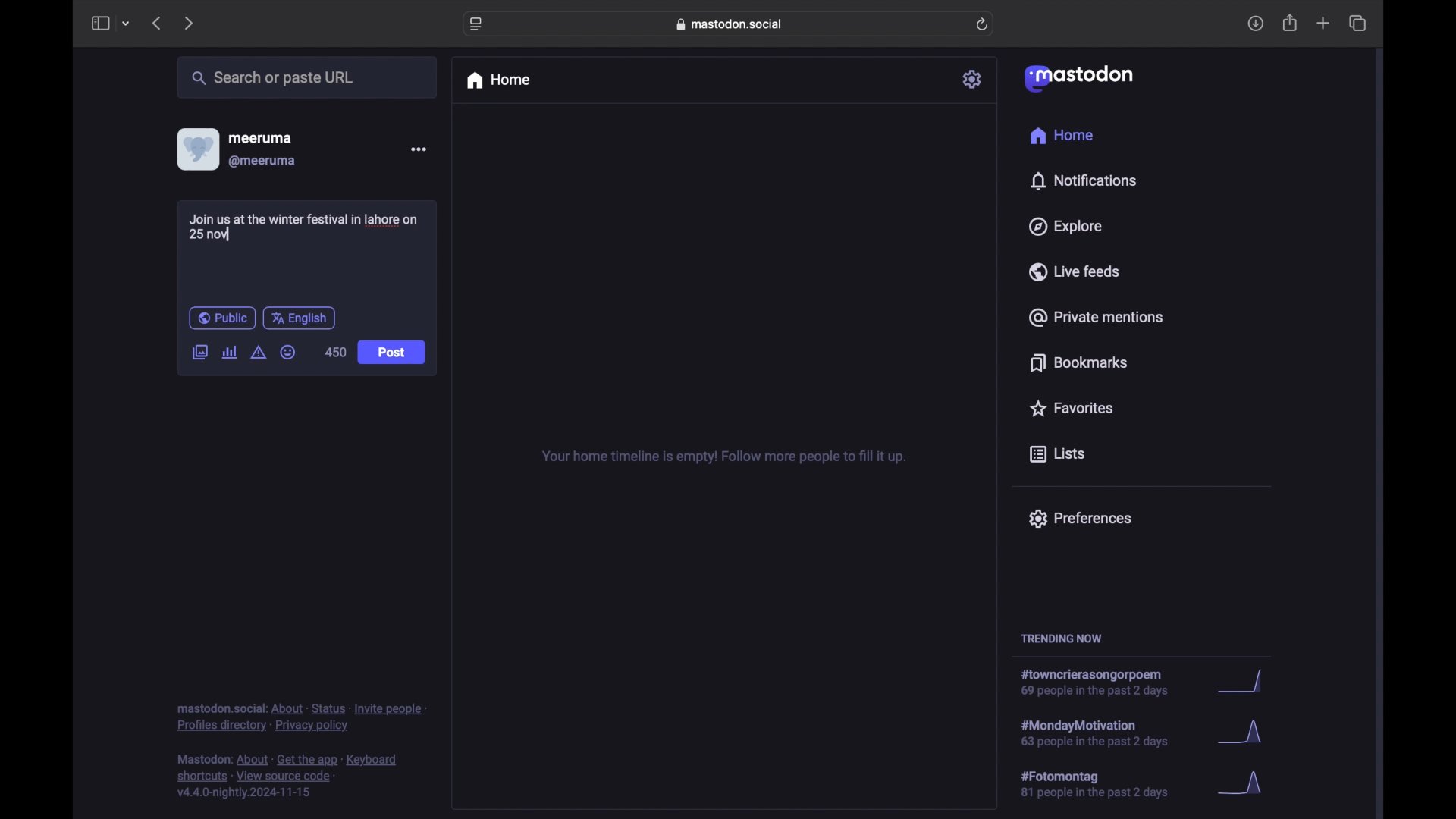 This screenshot has width=1456, height=819. I want to click on lists, so click(1057, 455).